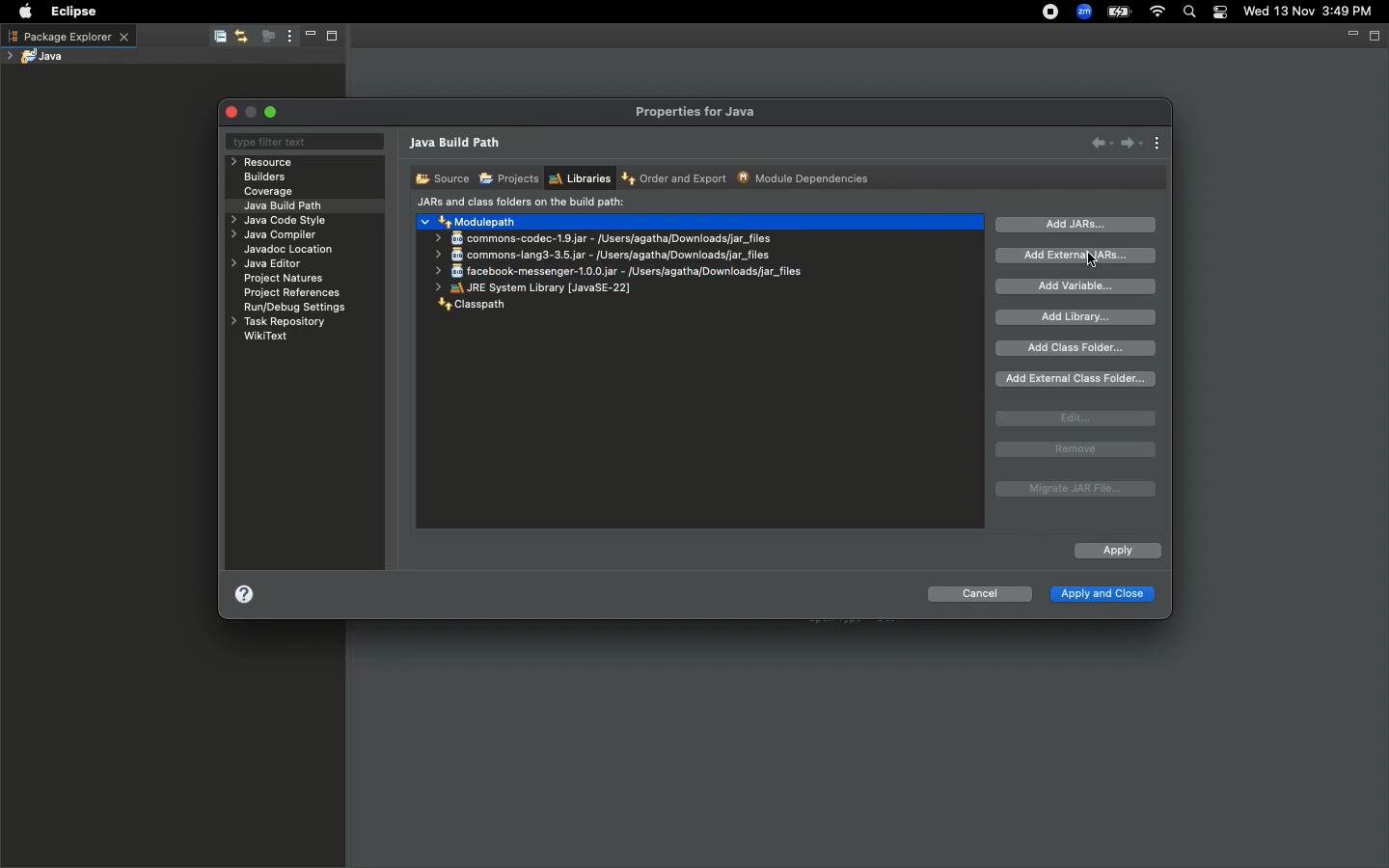 This screenshot has height=868, width=1389. I want to click on Projects, so click(508, 179).